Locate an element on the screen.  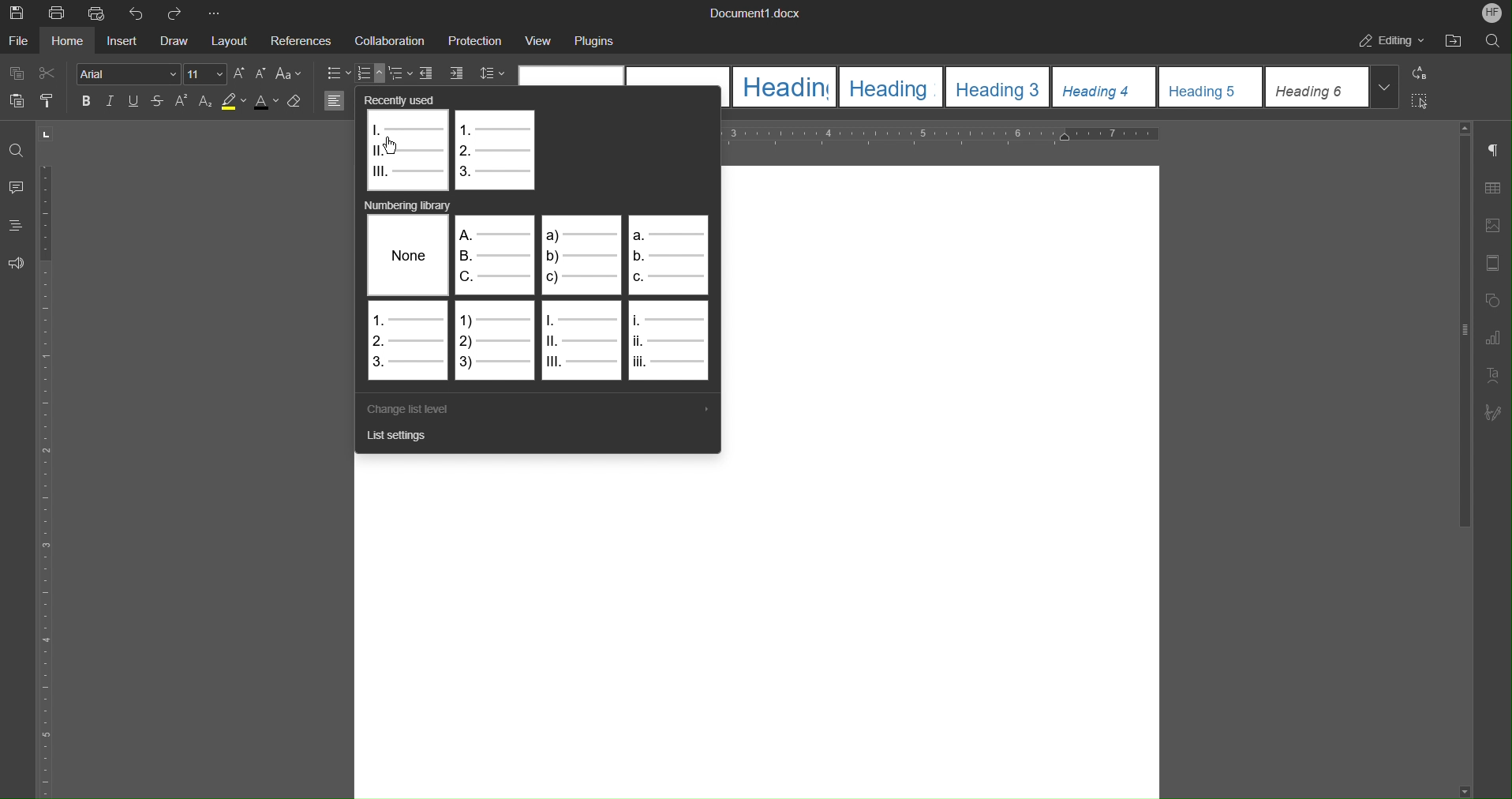
Increase Font Size is located at coordinates (241, 73).